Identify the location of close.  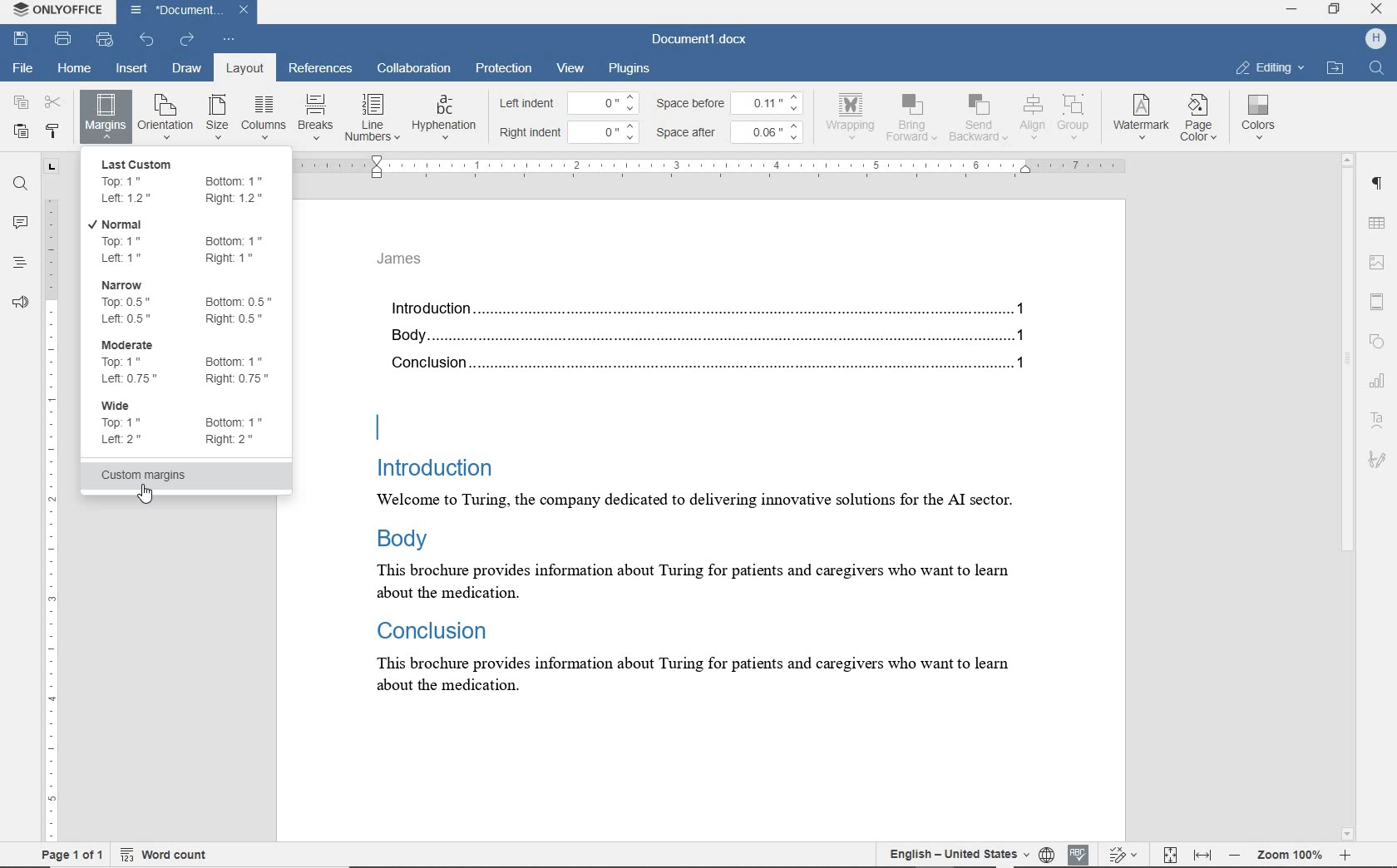
(249, 8).